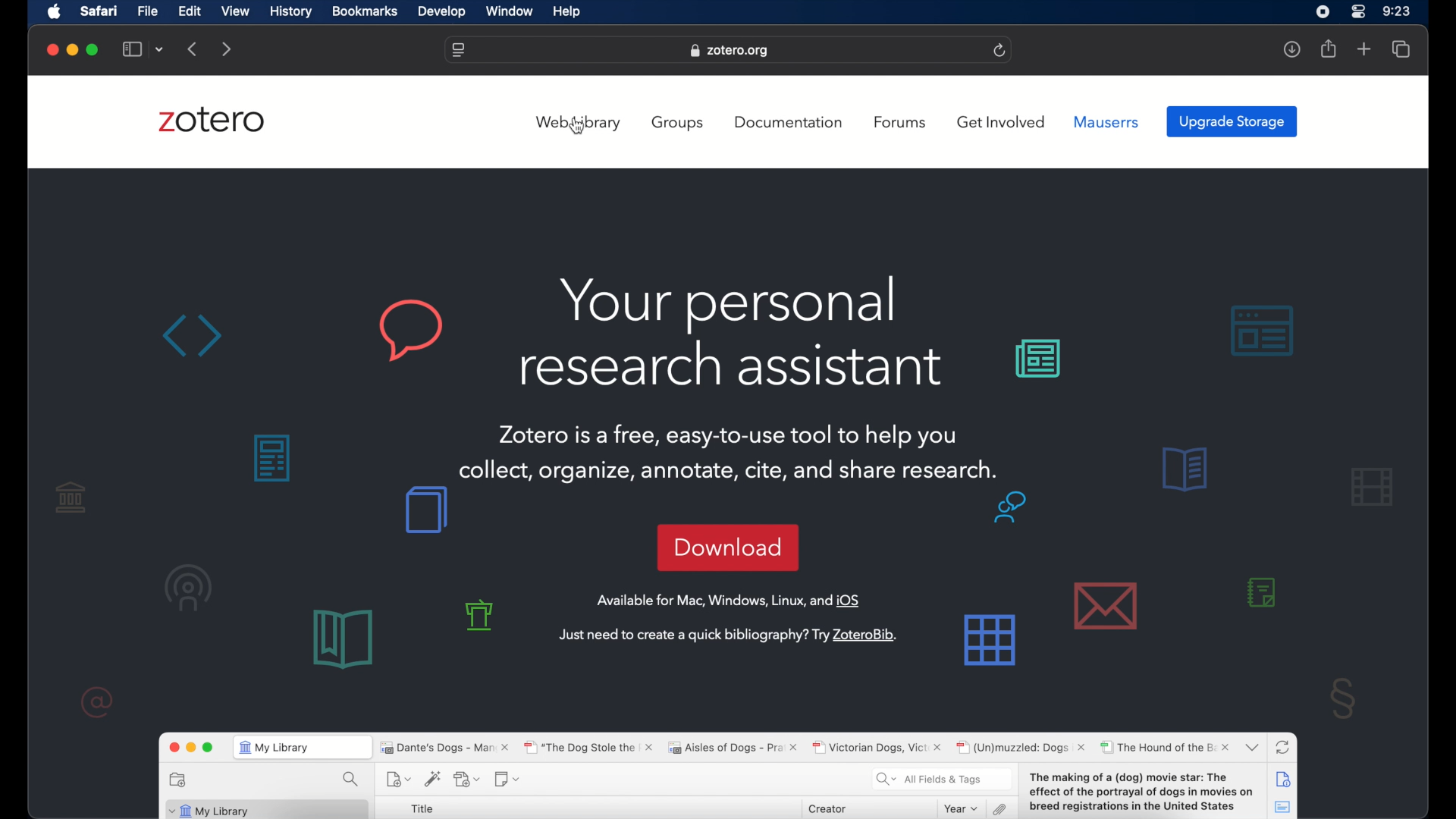  What do you see at coordinates (132, 50) in the screenshot?
I see `show sidebar` at bounding box center [132, 50].